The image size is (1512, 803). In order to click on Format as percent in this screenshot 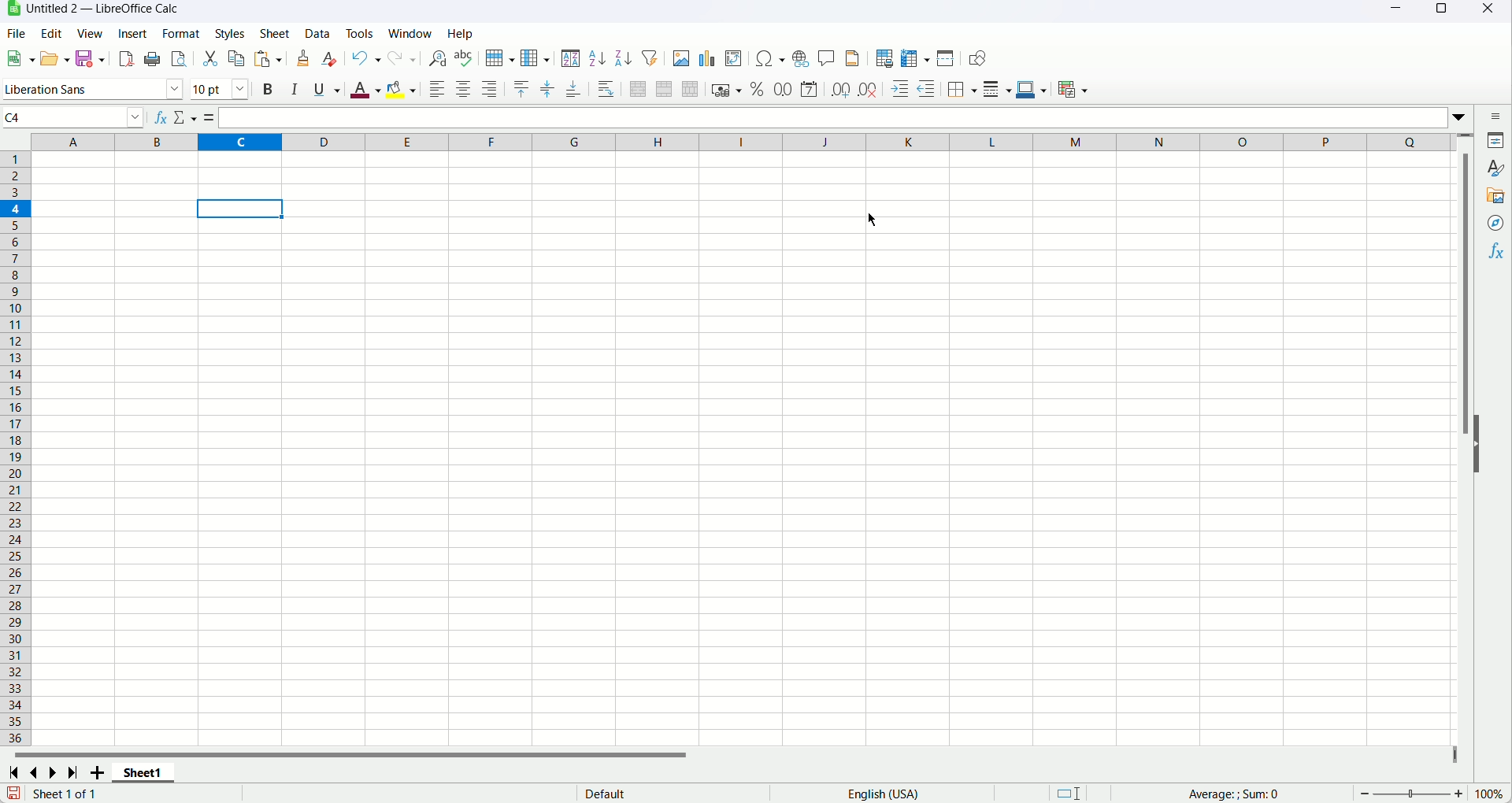, I will do `click(758, 90)`.